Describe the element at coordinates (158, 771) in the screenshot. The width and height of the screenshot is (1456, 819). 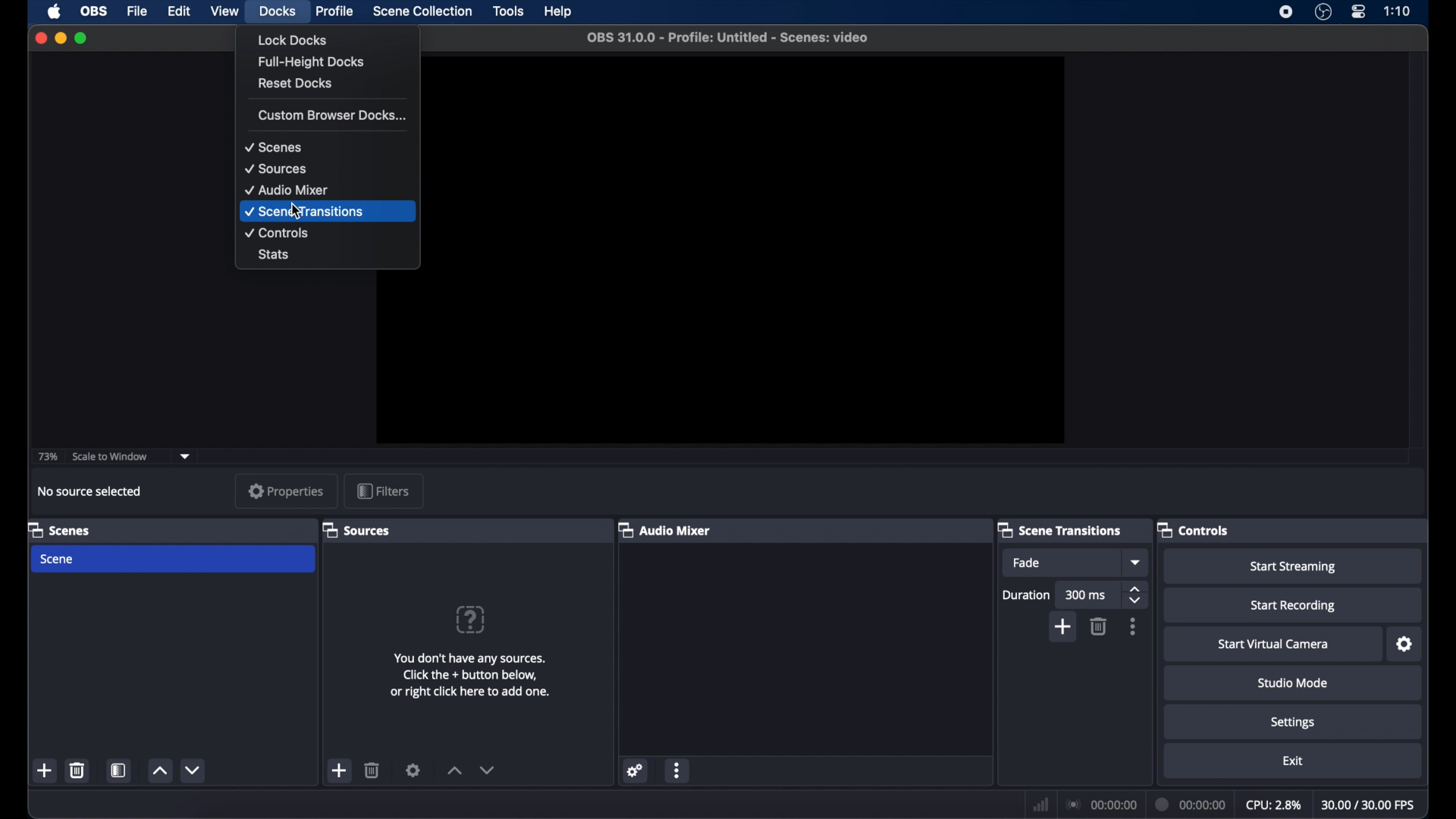
I see `increment` at that location.